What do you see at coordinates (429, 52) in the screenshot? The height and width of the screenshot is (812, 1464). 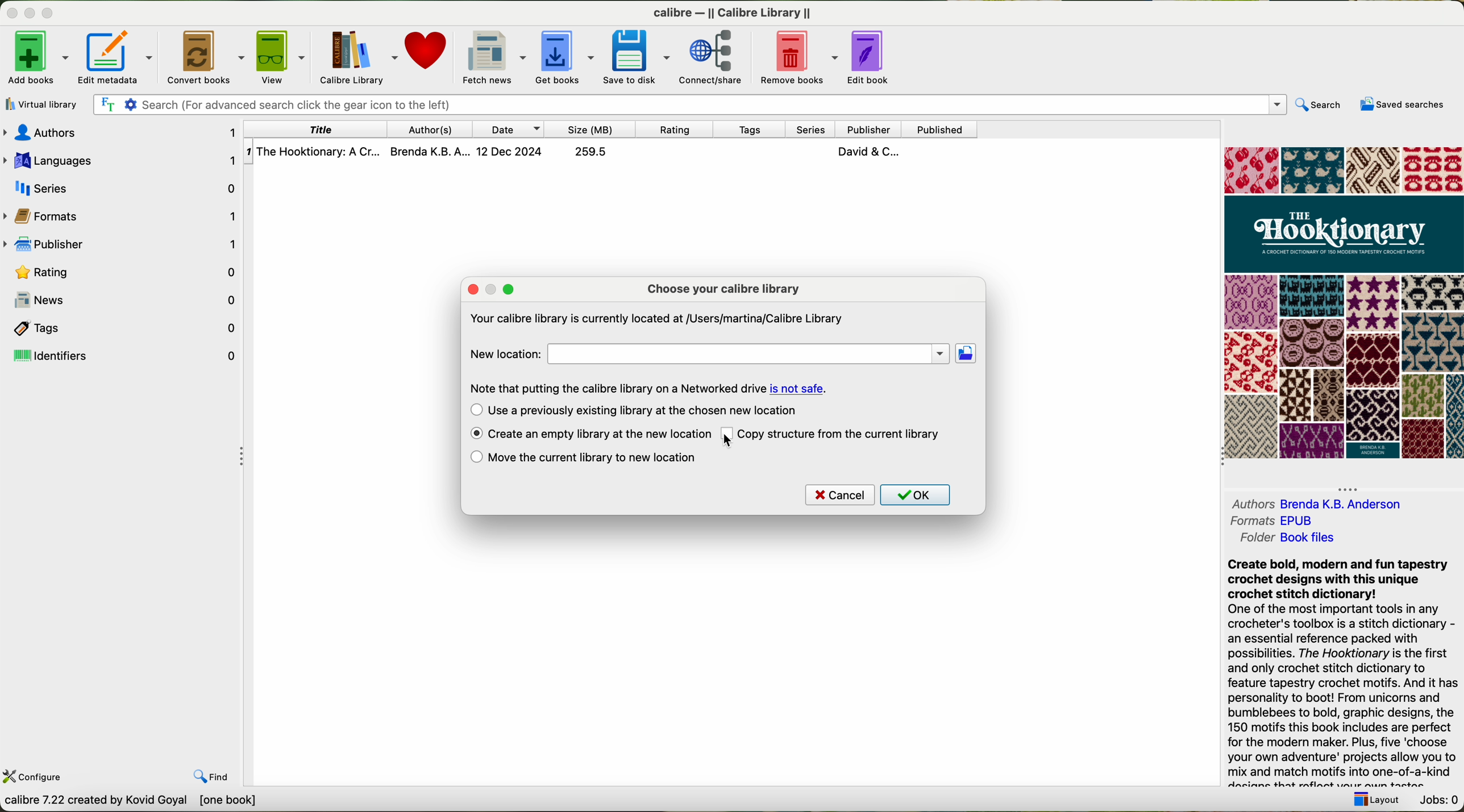 I see `donate` at bounding box center [429, 52].